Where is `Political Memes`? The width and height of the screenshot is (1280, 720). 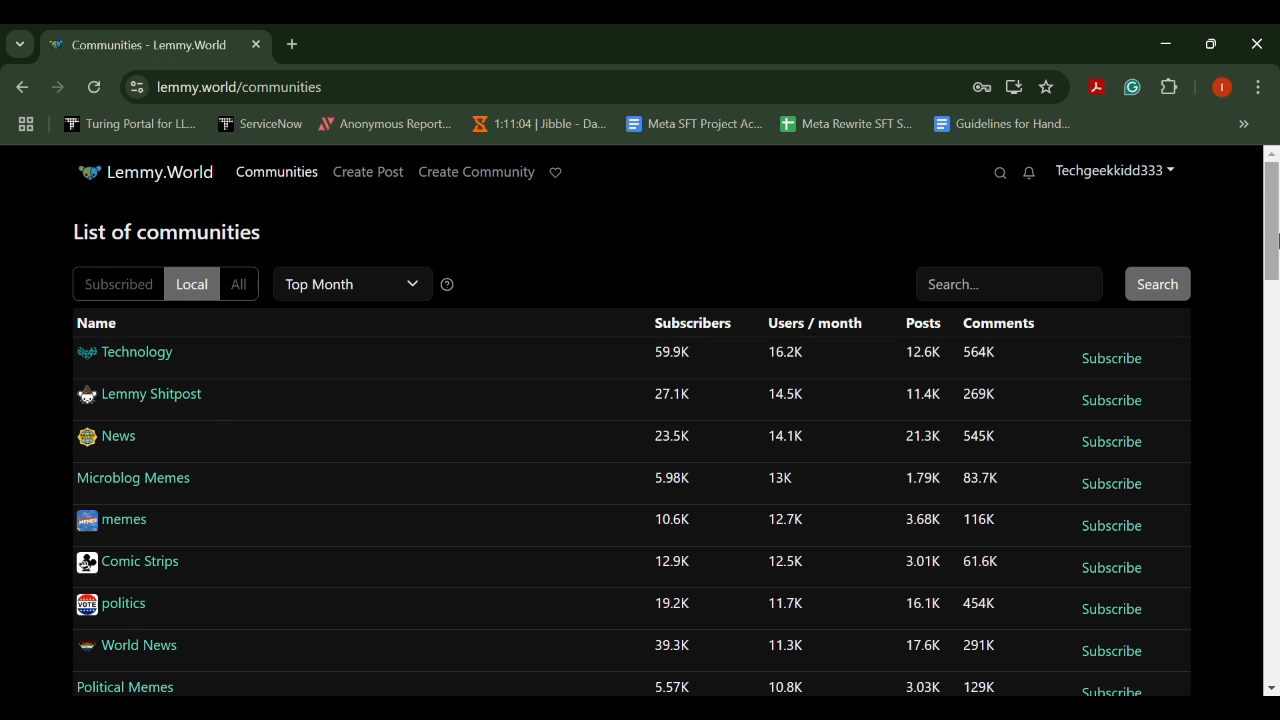
Political Memes is located at coordinates (125, 690).